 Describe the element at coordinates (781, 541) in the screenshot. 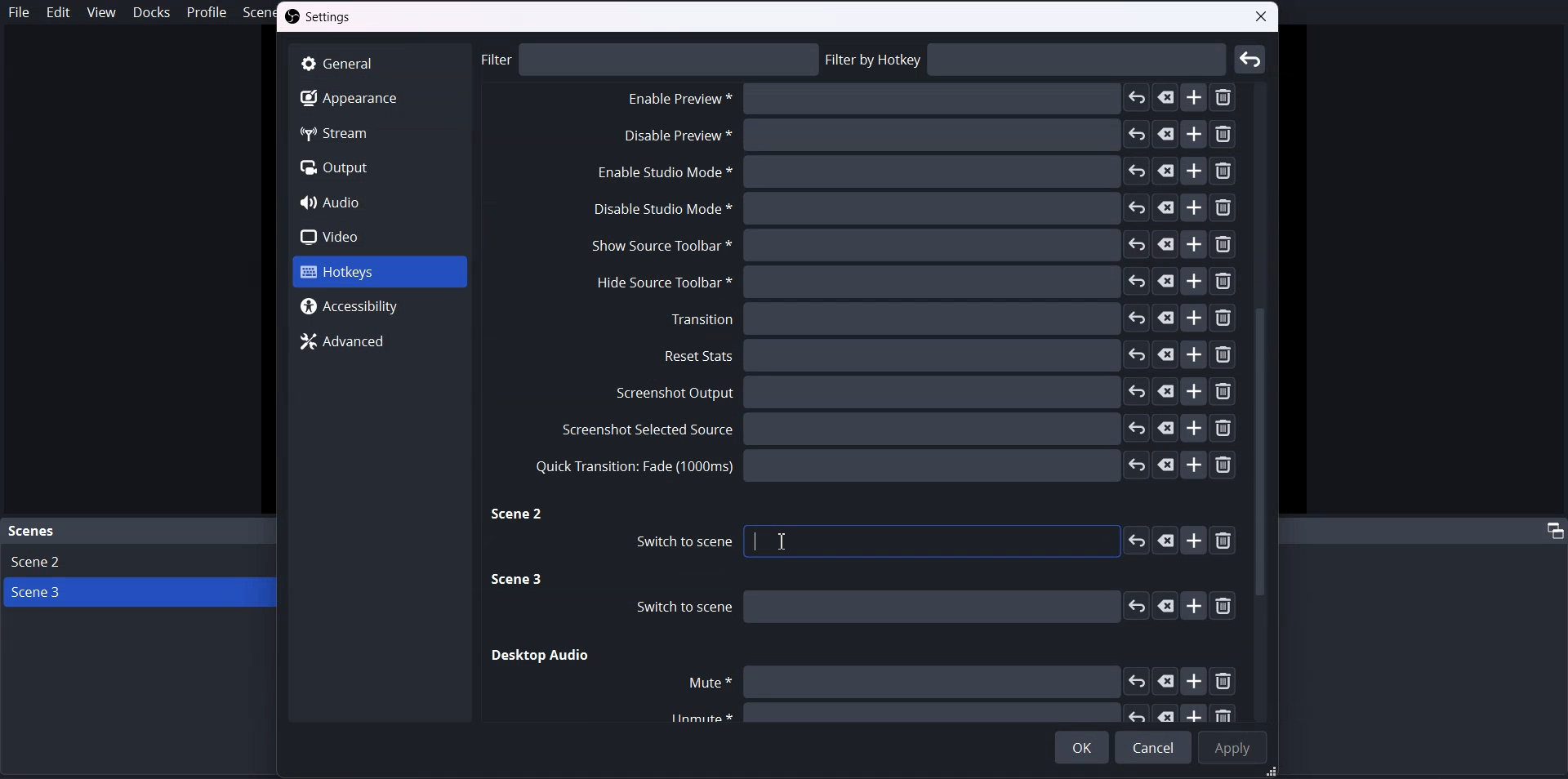

I see `Text Cursor` at that location.